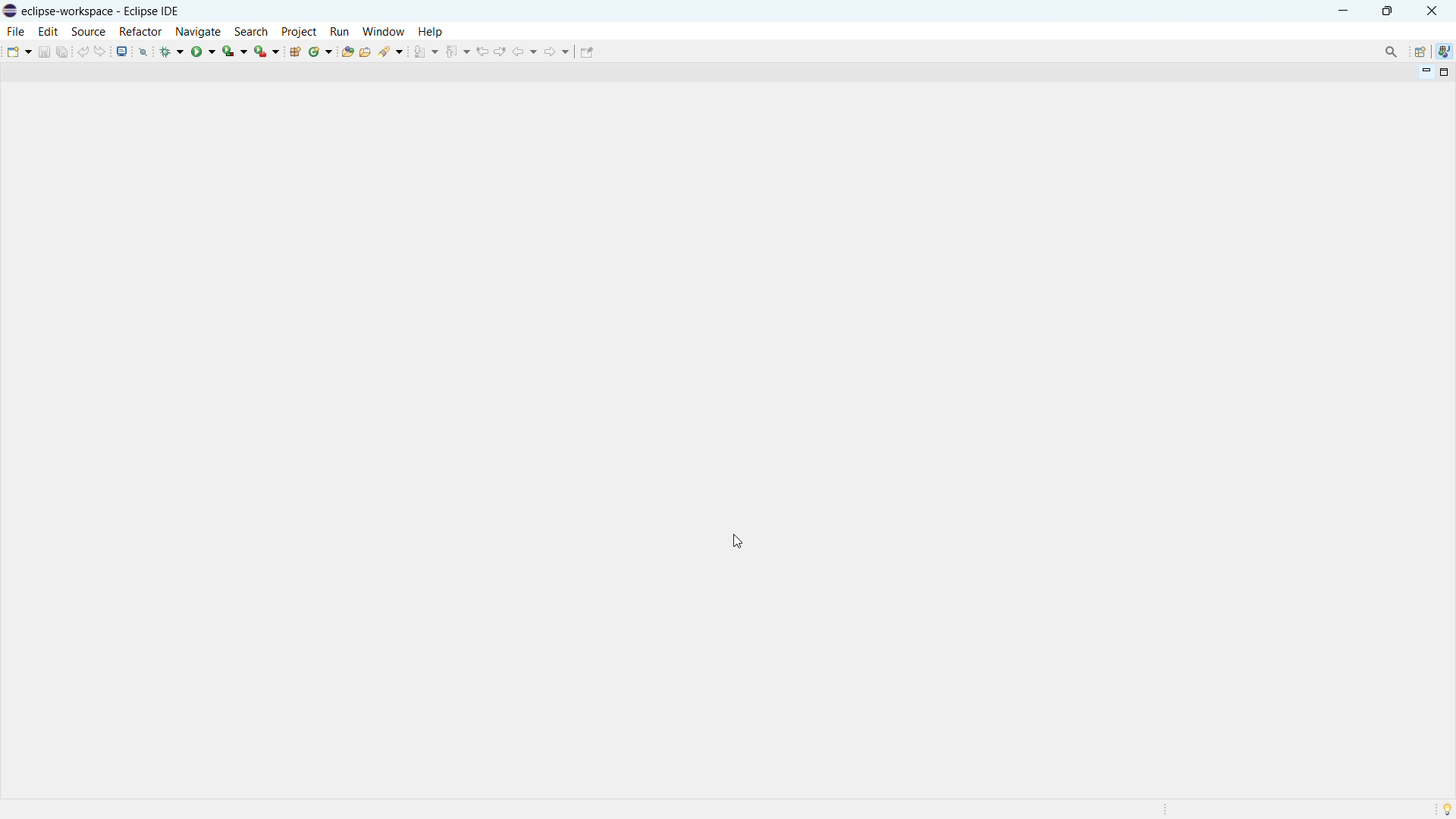 The height and width of the screenshot is (819, 1456). I want to click on file, so click(17, 32).